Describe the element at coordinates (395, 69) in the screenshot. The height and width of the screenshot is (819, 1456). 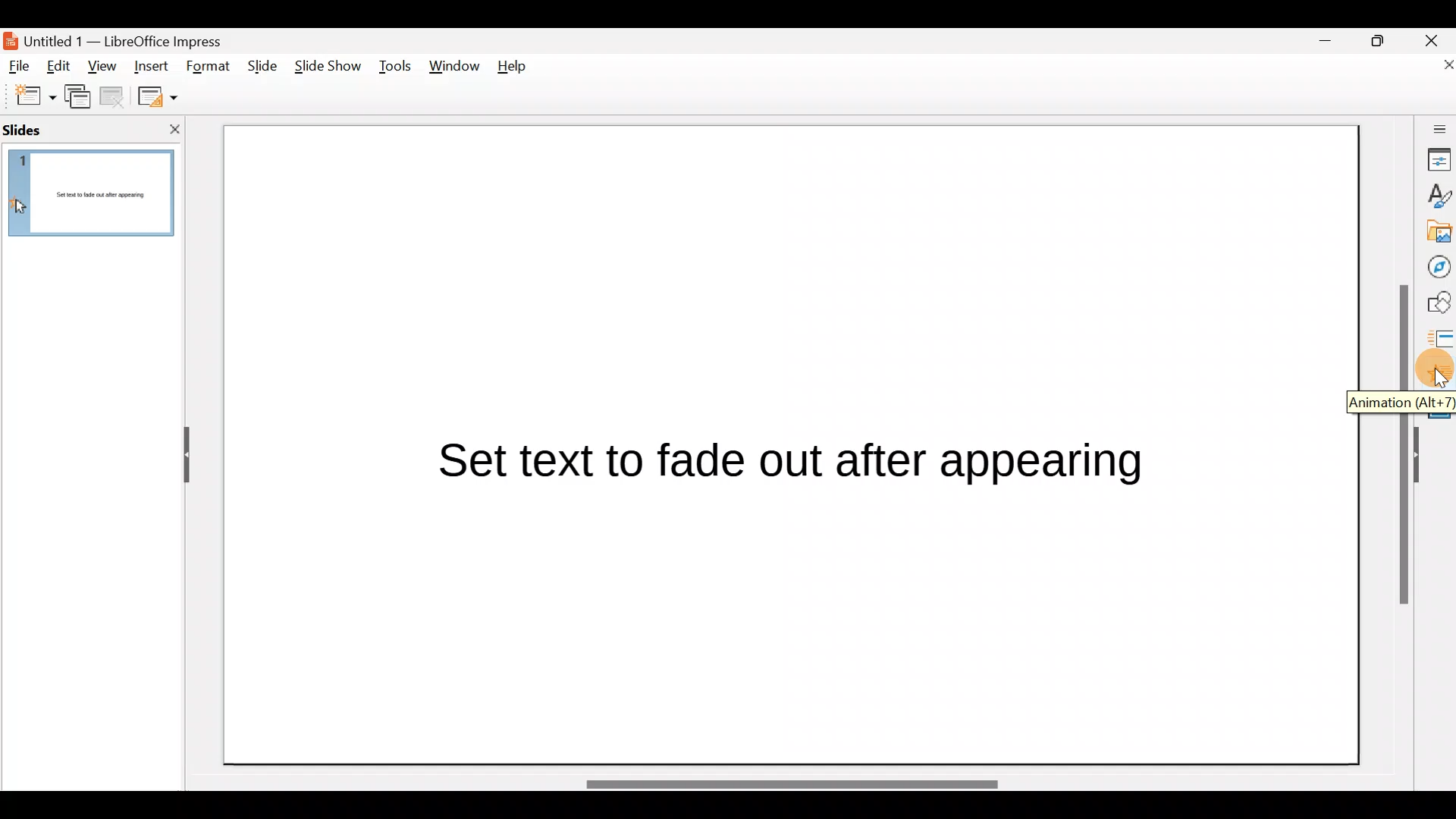
I see `Tools` at that location.